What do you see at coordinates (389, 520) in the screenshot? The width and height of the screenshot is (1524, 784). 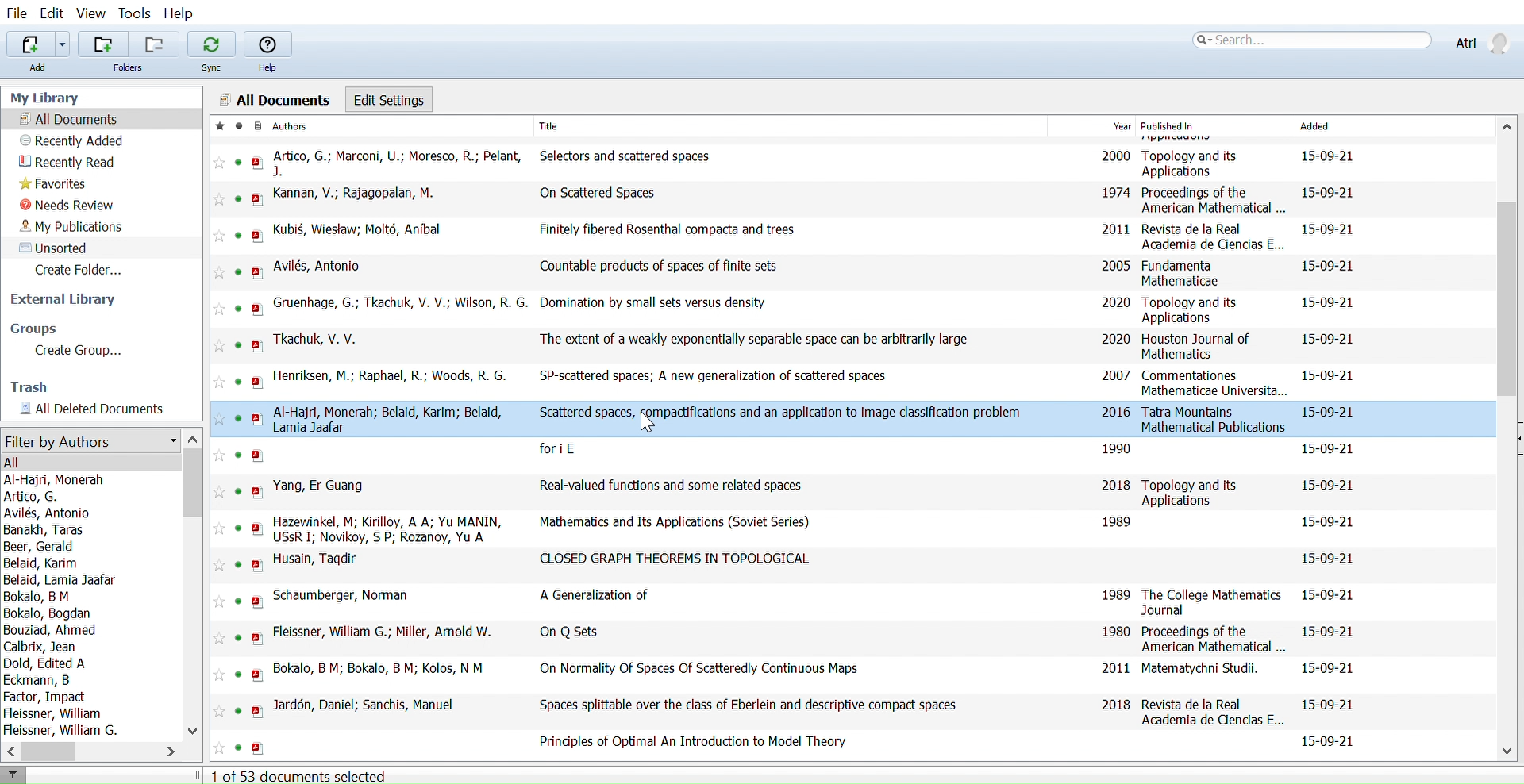 I see `hazeqinkel, M; Kirilloy, A A; Yu MANIN,` at bounding box center [389, 520].